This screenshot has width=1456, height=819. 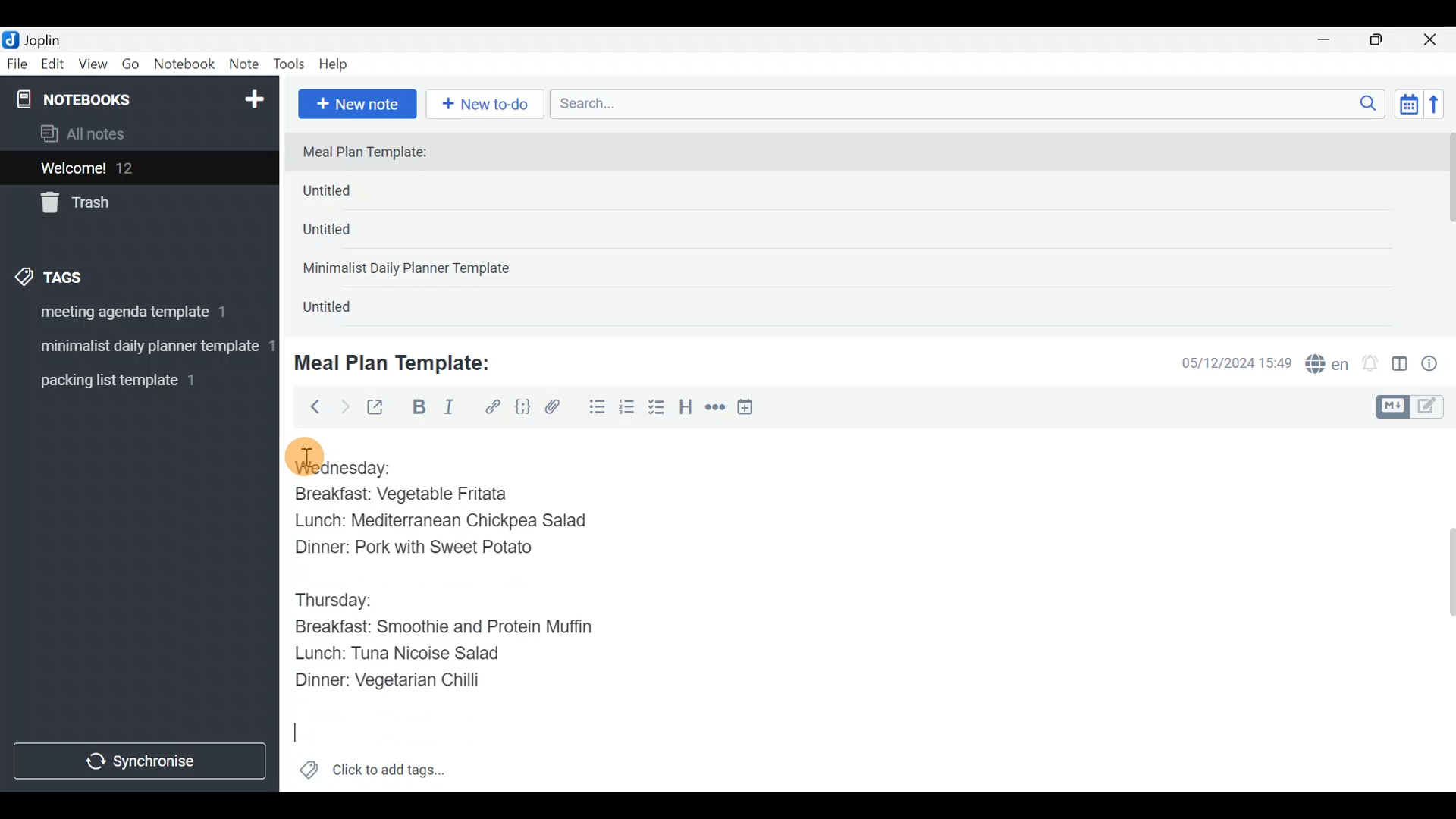 What do you see at coordinates (410, 654) in the screenshot?
I see `Lunch: Tuna Nicoise Salad` at bounding box center [410, 654].